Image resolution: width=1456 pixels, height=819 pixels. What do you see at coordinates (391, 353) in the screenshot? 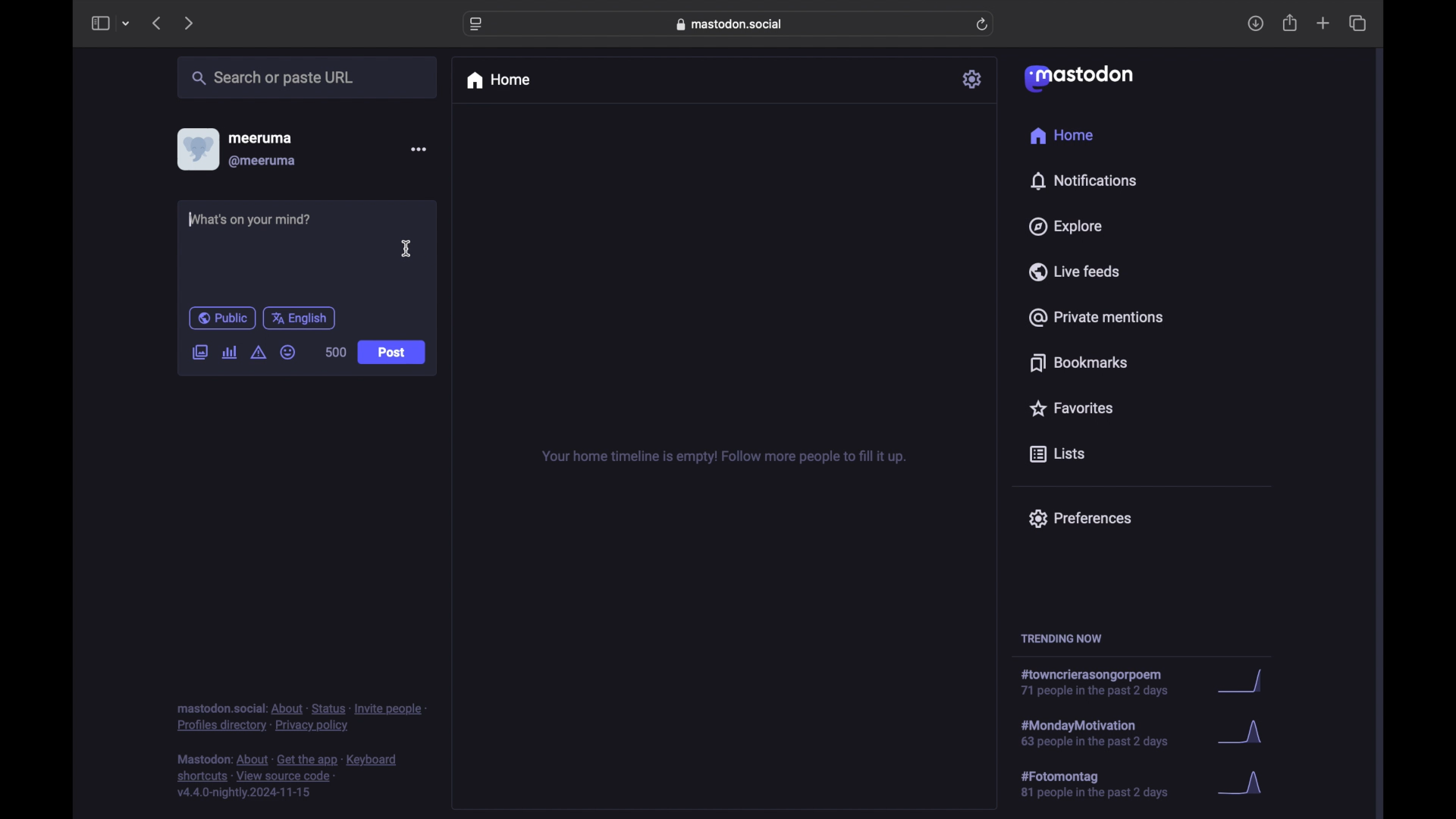
I see `post` at bounding box center [391, 353].